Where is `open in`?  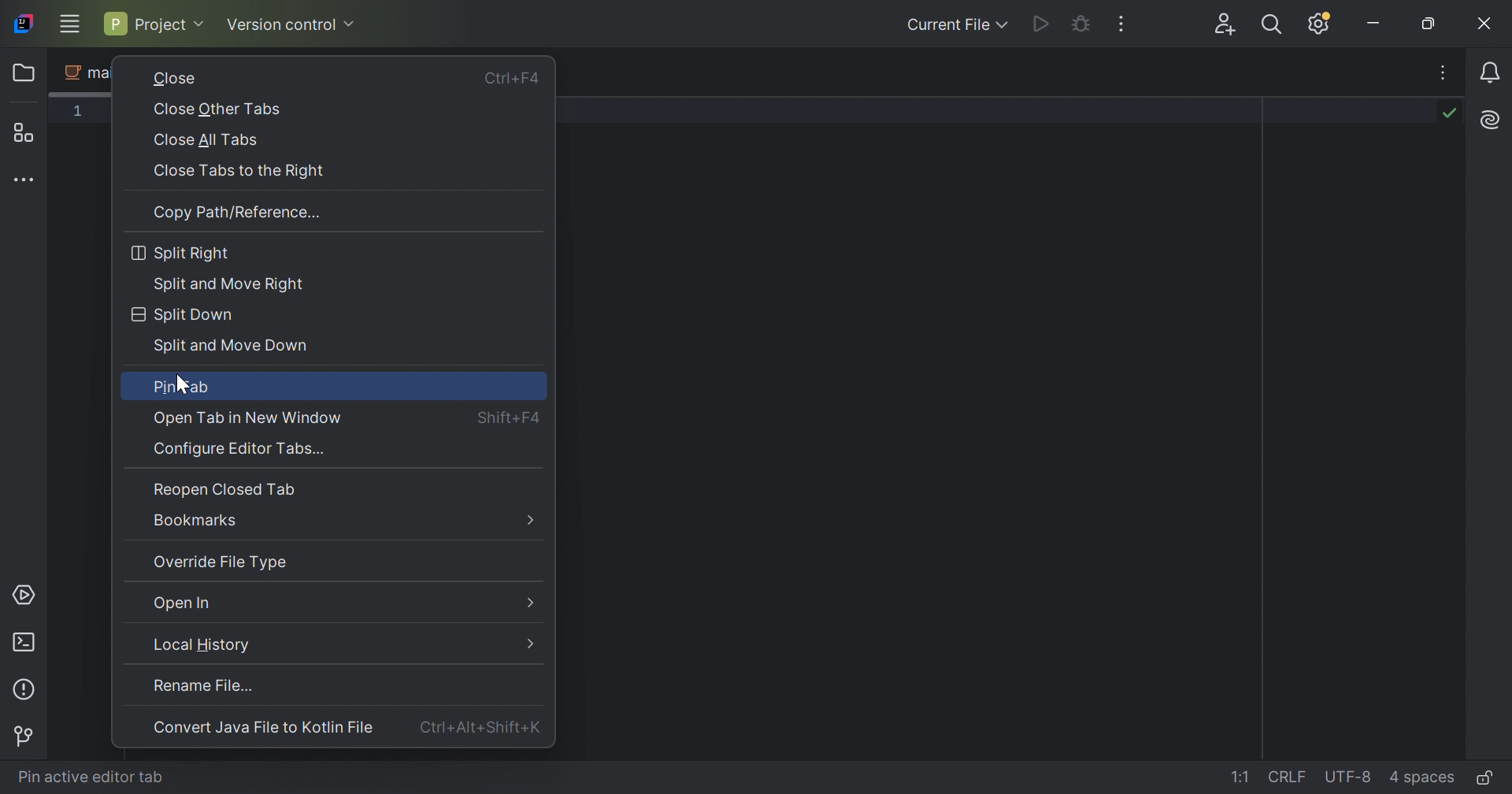
open in is located at coordinates (183, 601).